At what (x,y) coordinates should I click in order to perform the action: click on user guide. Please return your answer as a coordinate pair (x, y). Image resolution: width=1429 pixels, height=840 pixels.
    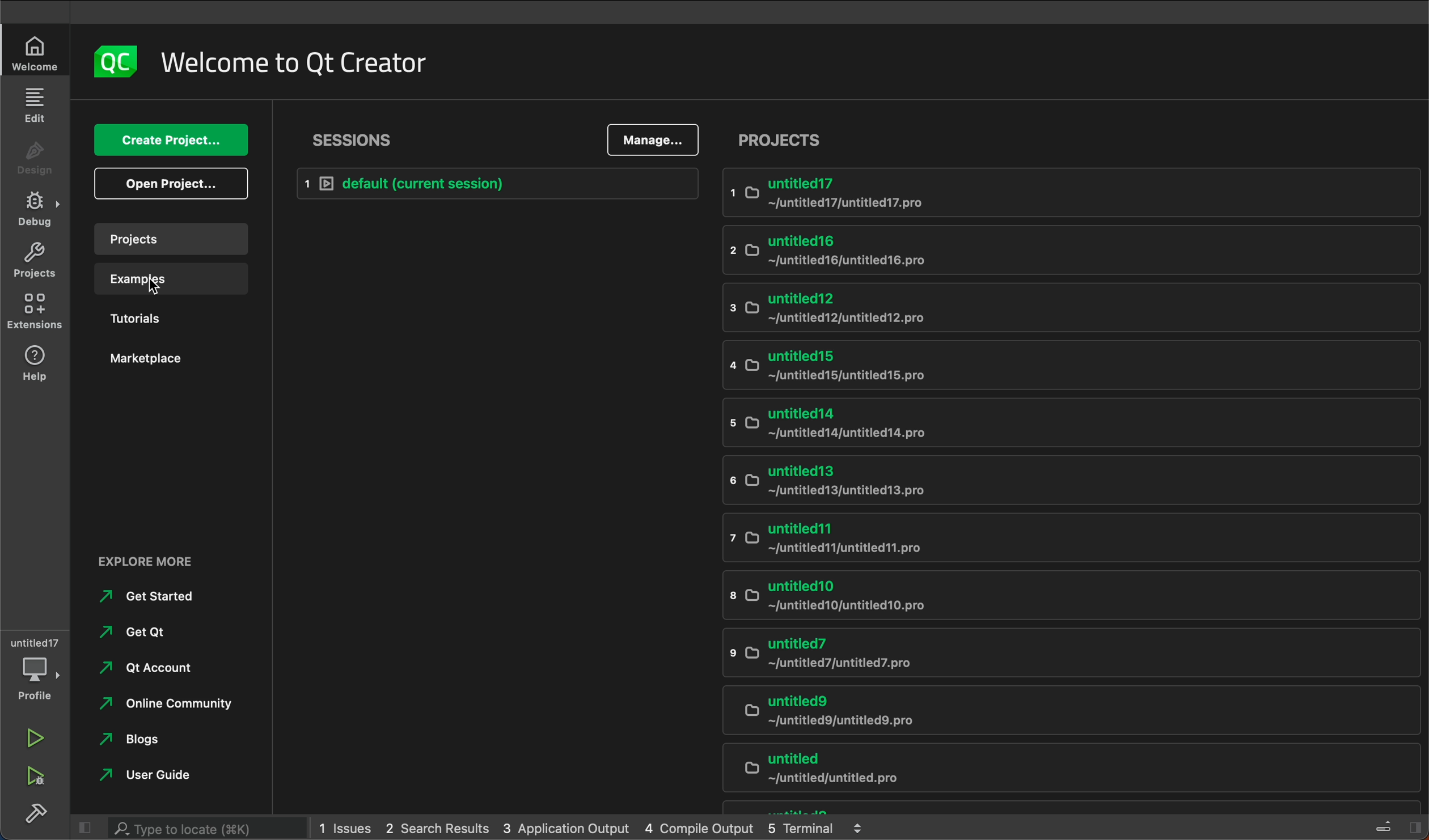
    Looking at the image, I should click on (177, 777).